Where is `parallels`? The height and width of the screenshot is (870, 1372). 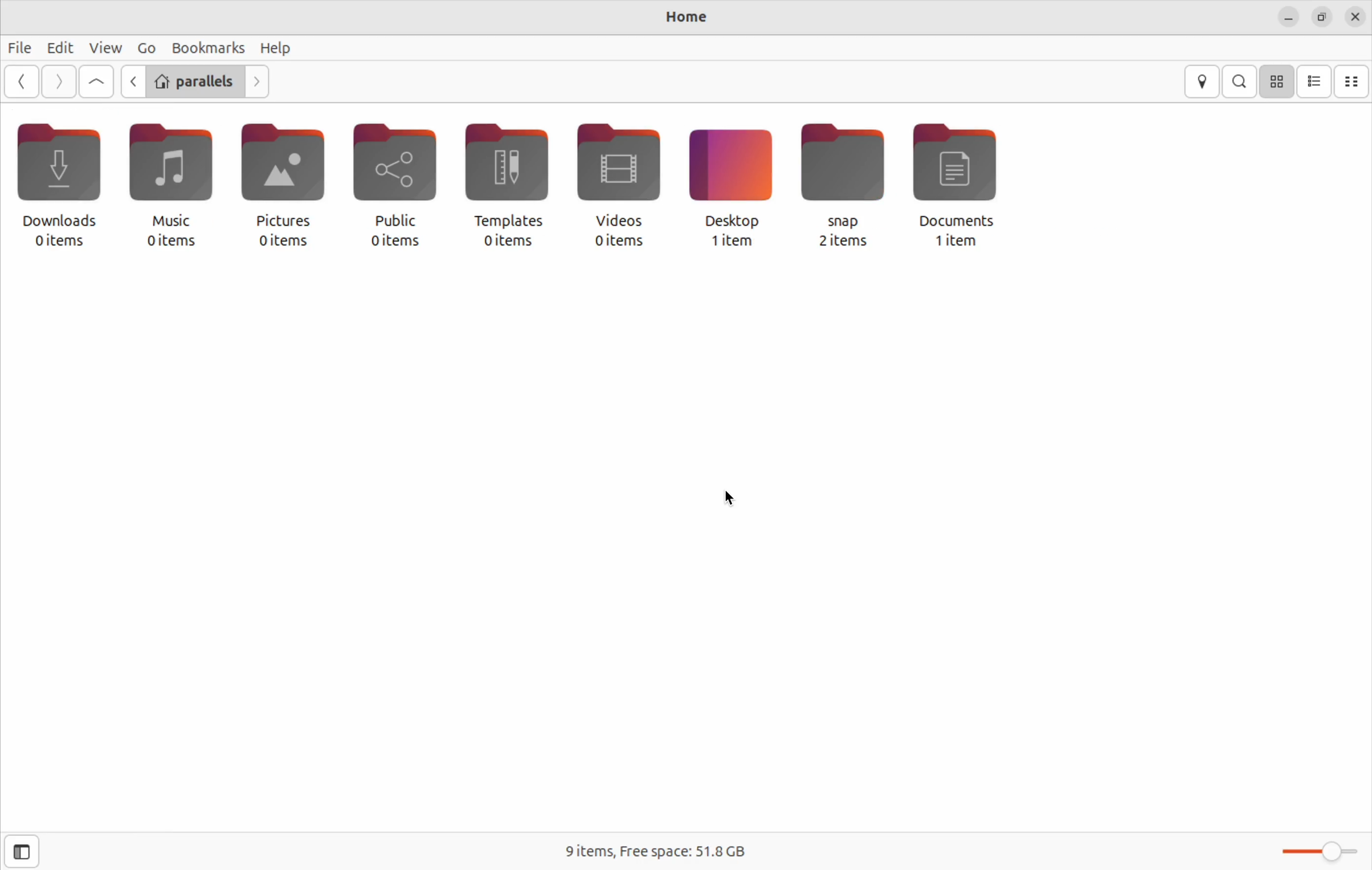
parallels is located at coordinates (194, 80).